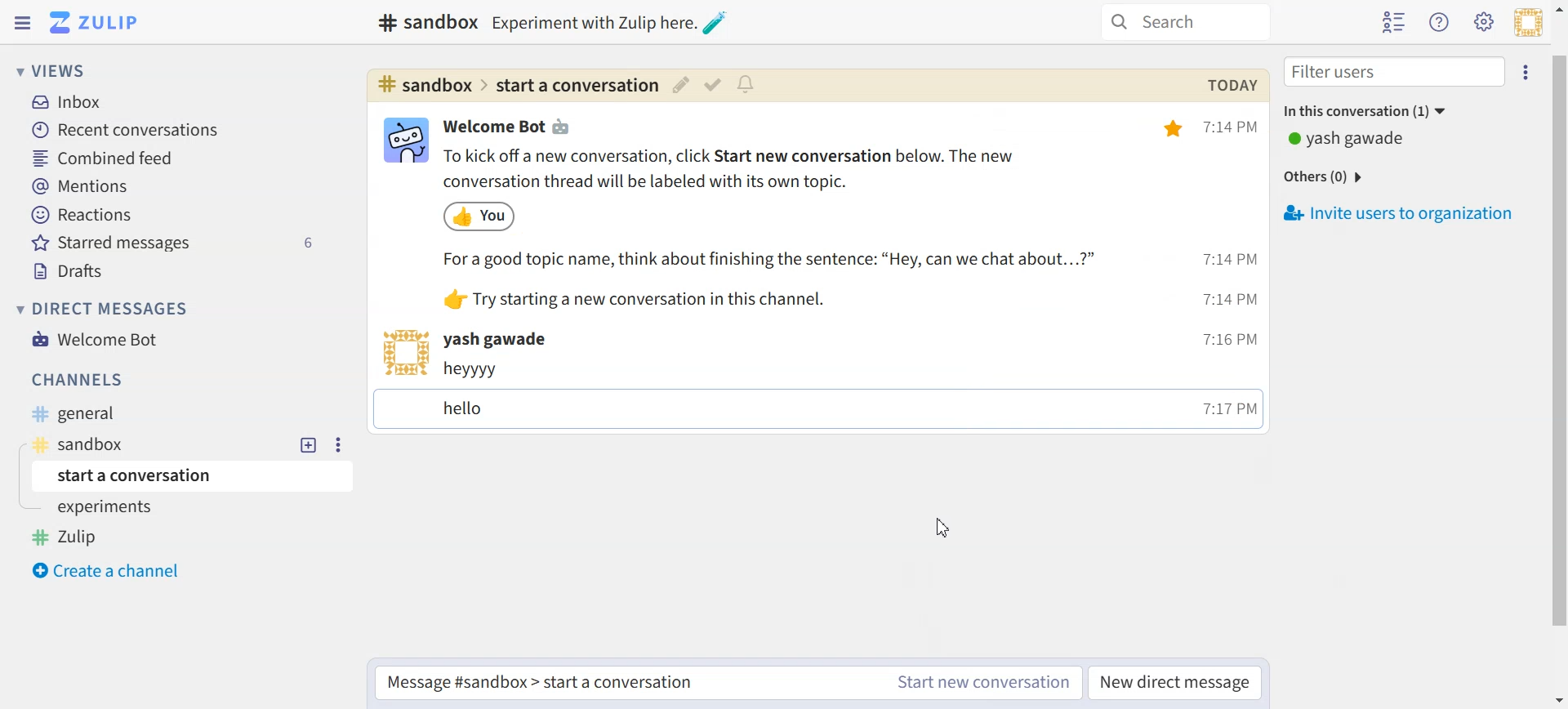 This screenshot has height=709, width=1568. I want to click on user, so click(508, 341).